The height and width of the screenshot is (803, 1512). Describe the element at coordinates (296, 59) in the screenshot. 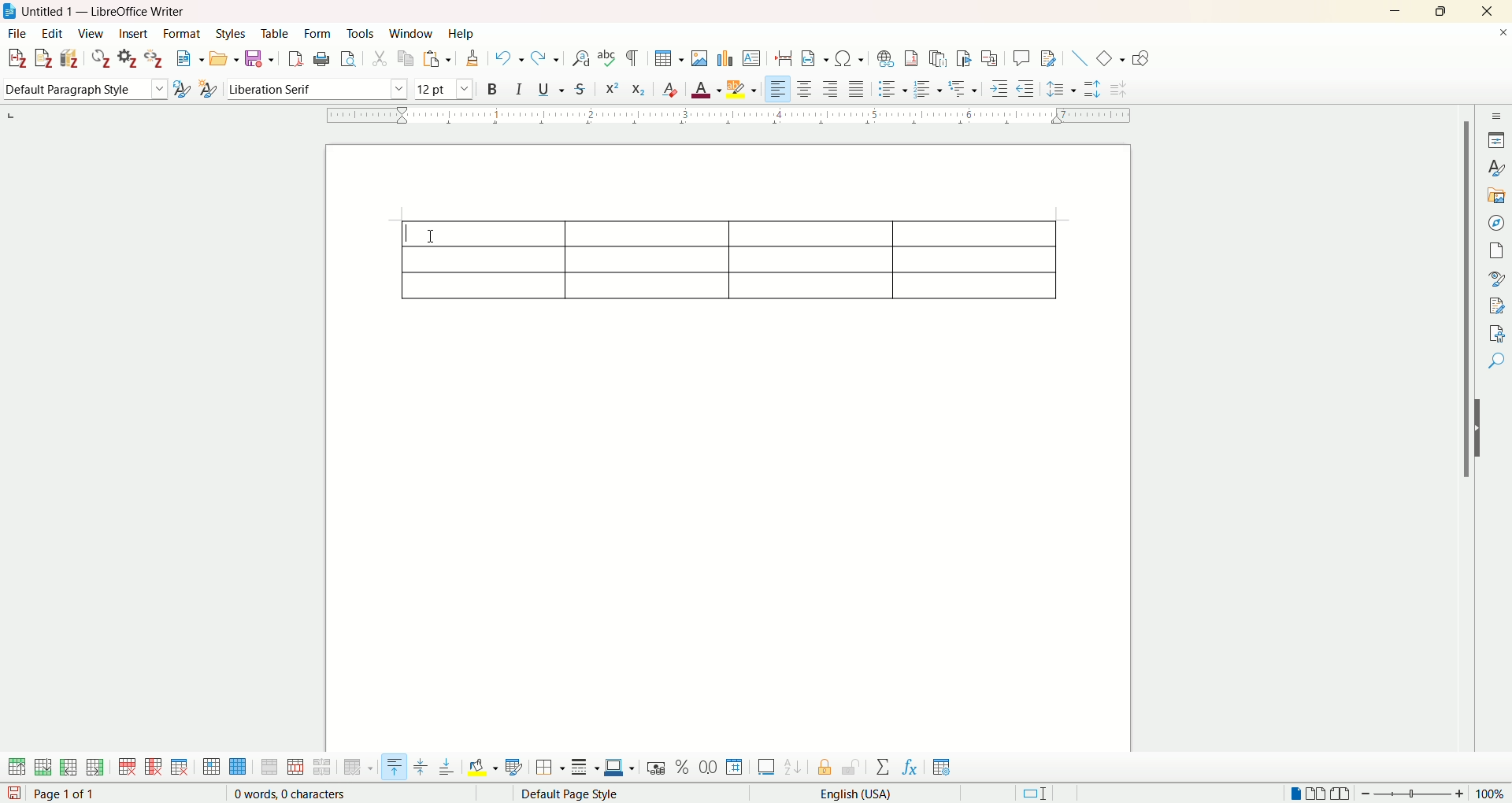

I see `export` at that location.